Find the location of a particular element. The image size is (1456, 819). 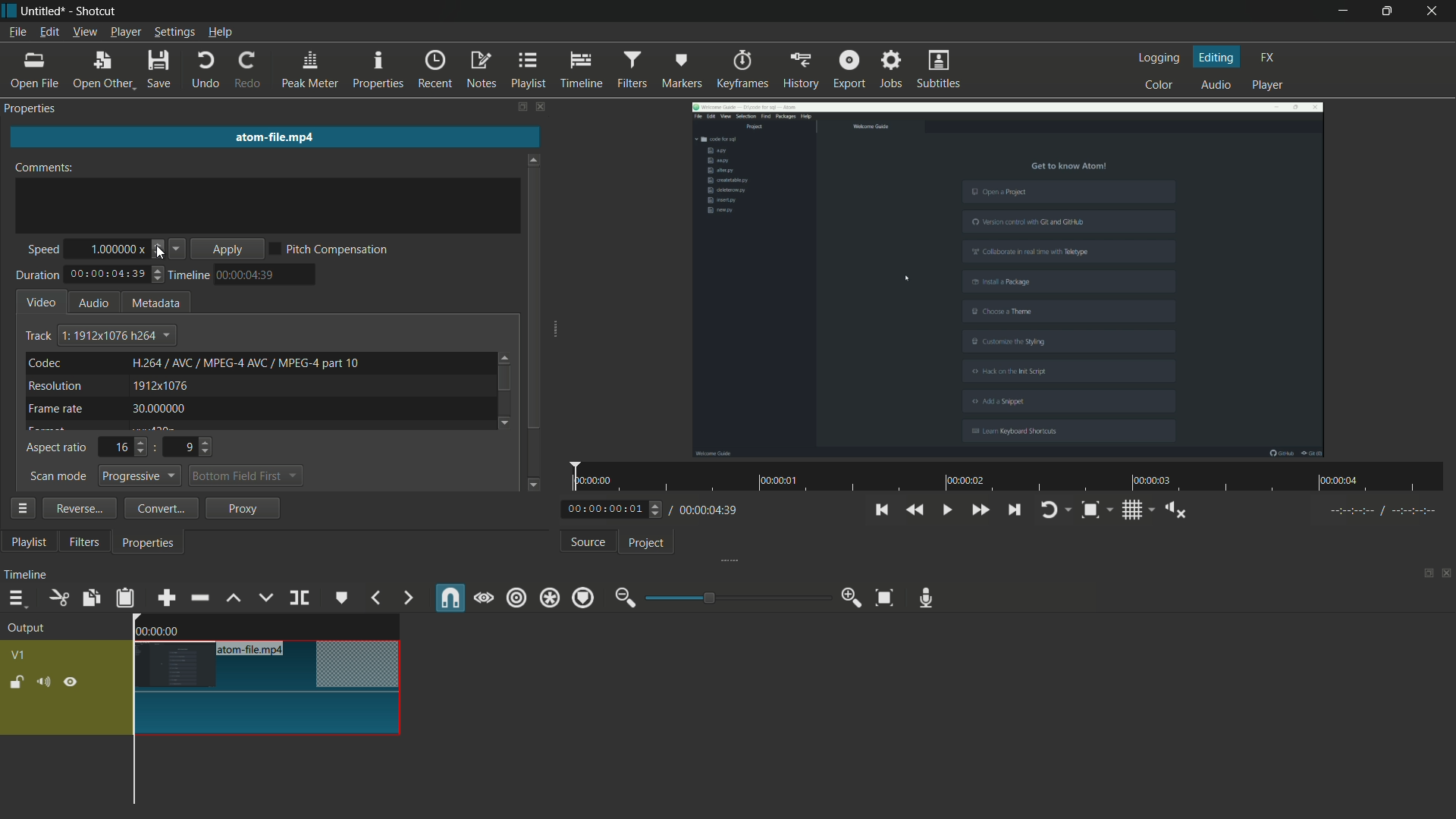

bottom field first is located at coordinates (238, 478).